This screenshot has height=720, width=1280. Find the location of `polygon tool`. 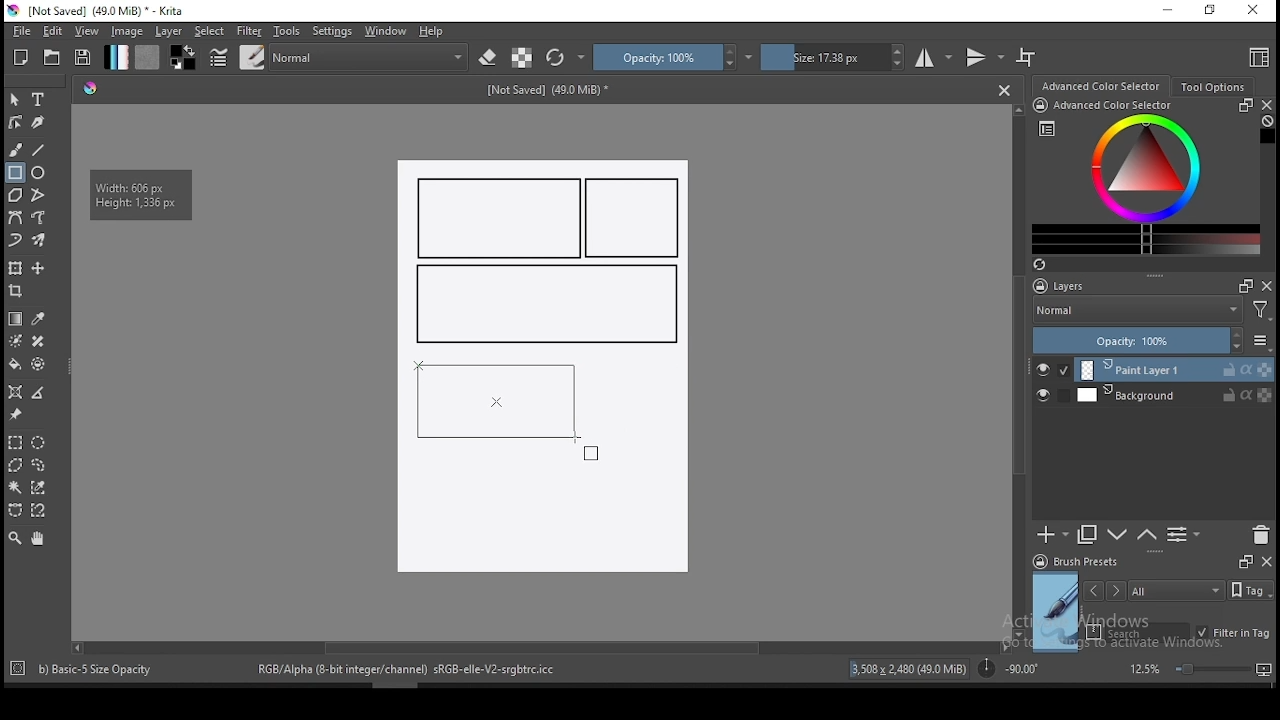

polygon tool is located at coordinates (14, 195).